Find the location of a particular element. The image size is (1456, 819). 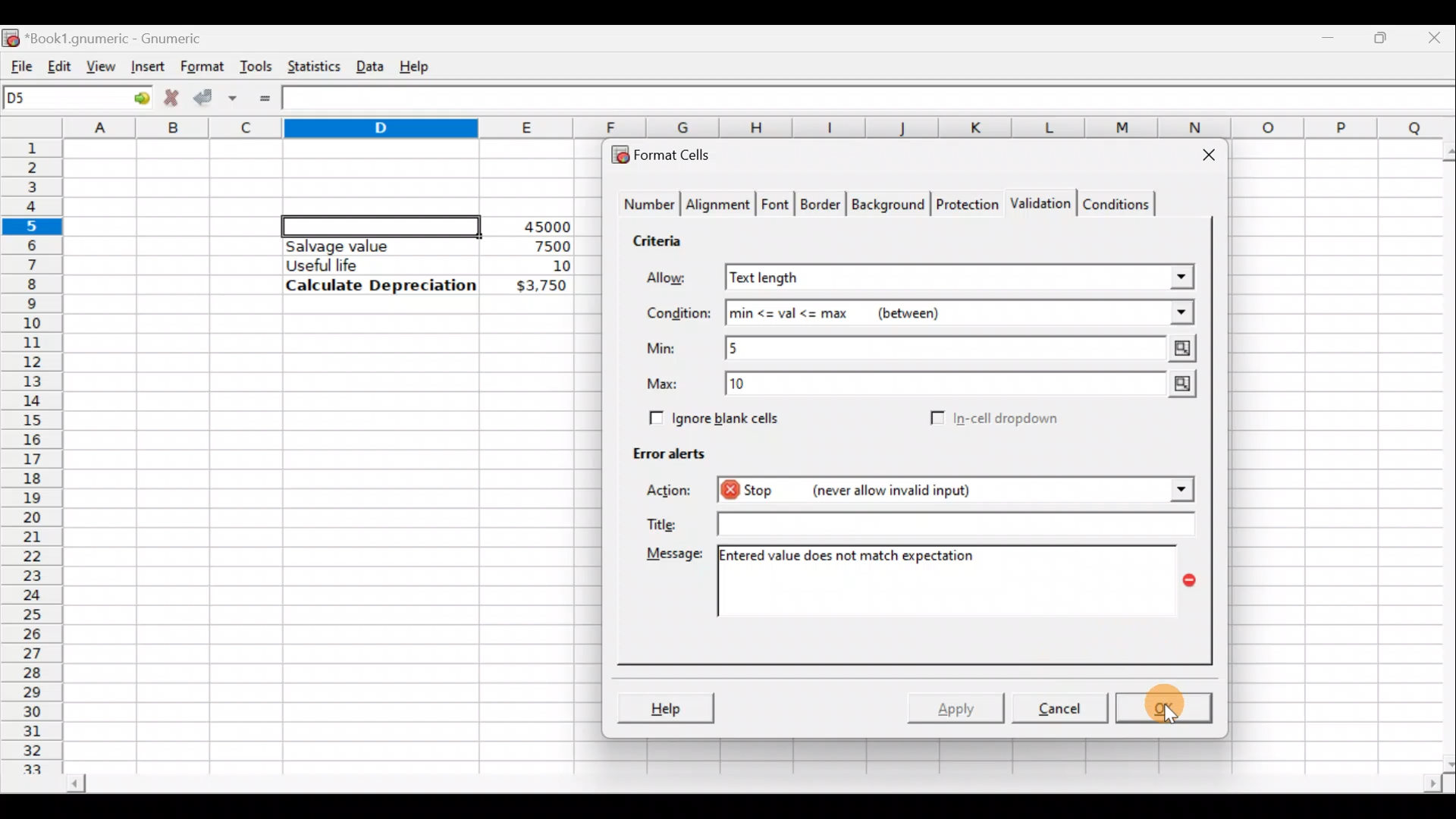

Font is located at coordinates (777, 206).